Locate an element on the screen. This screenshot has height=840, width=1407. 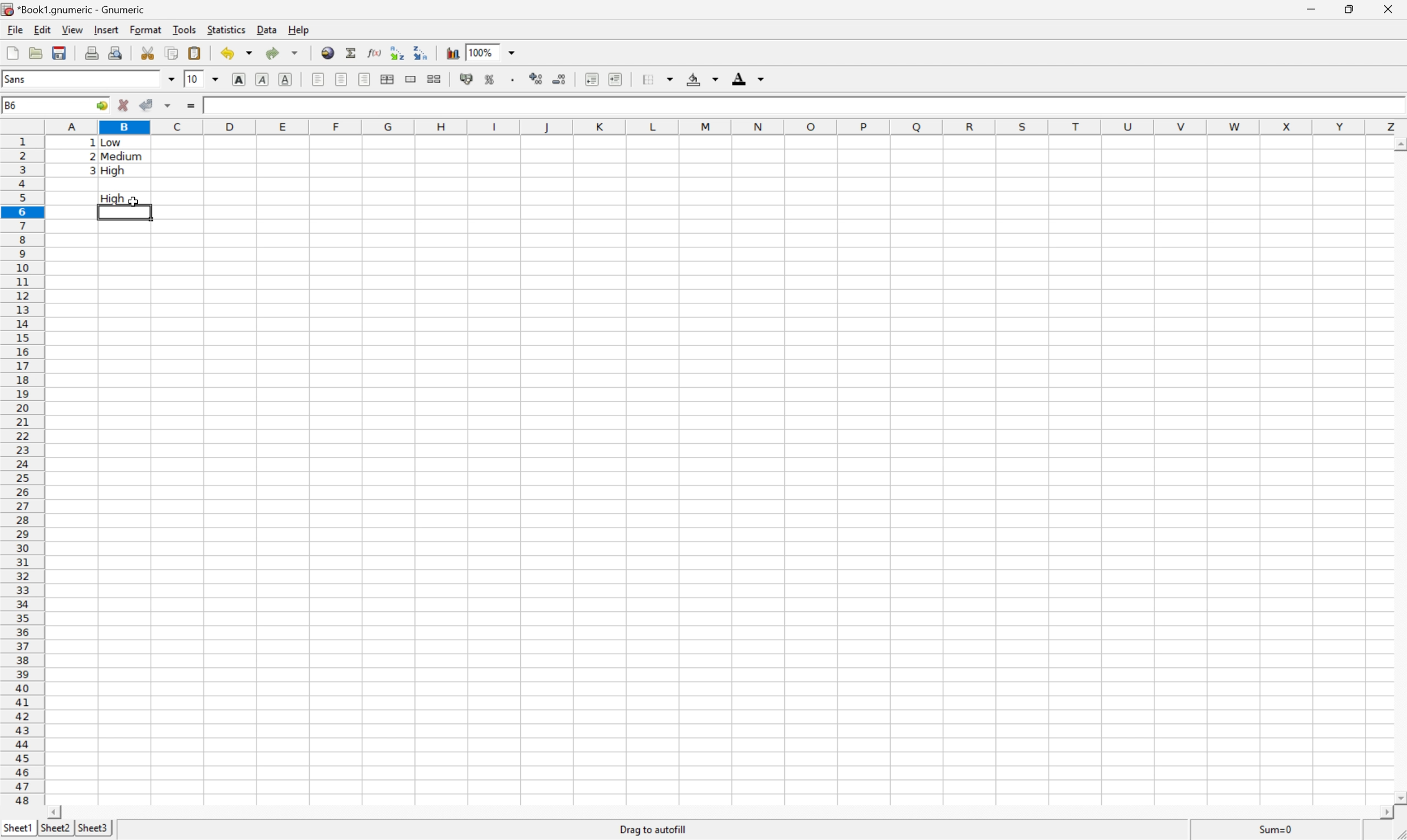
Copy selection is located at coordinates (173, 54).